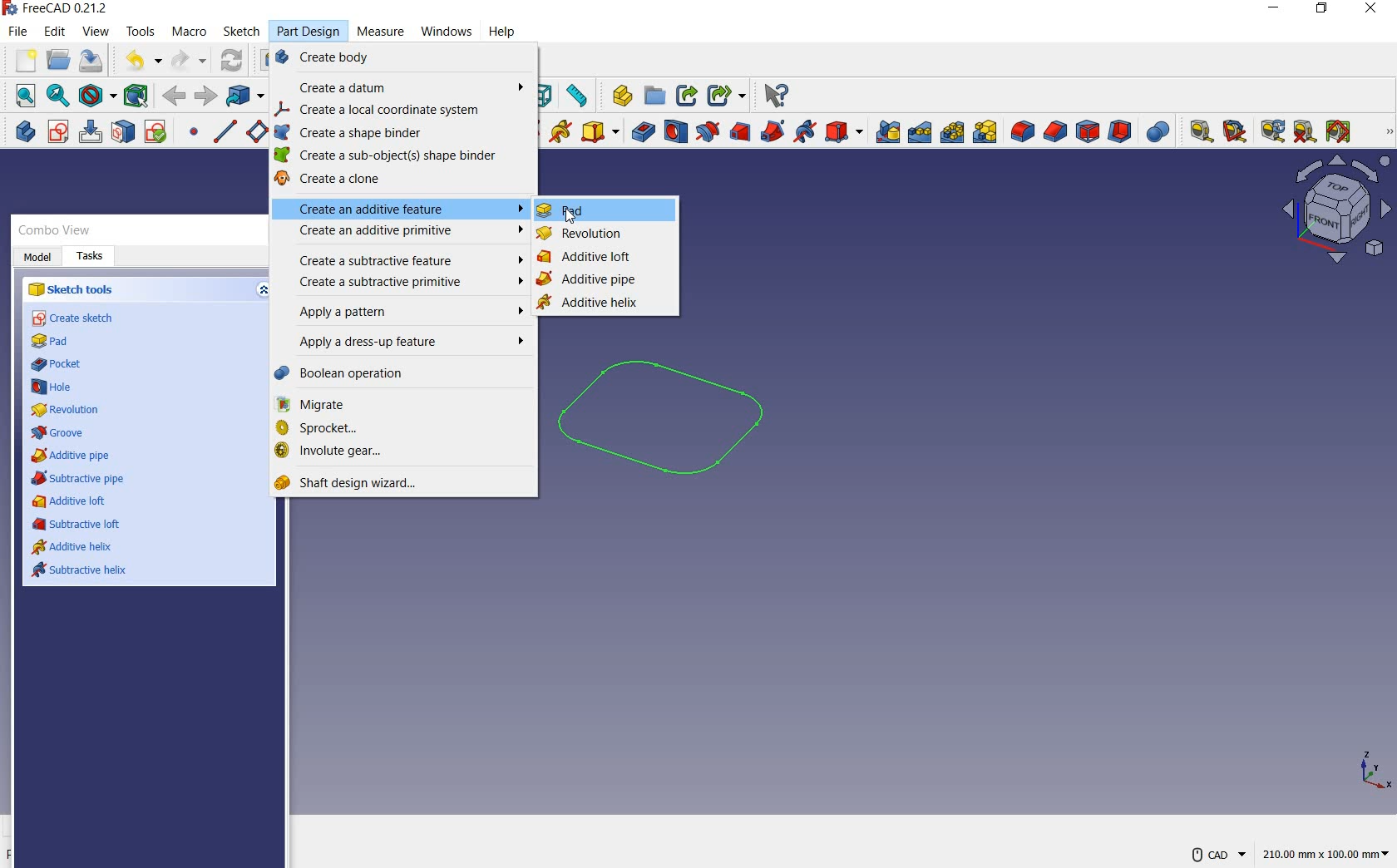  What do you see at coordinates (54, 342) in the screenshot?
I see `pad` at bounding box center [54, 342].